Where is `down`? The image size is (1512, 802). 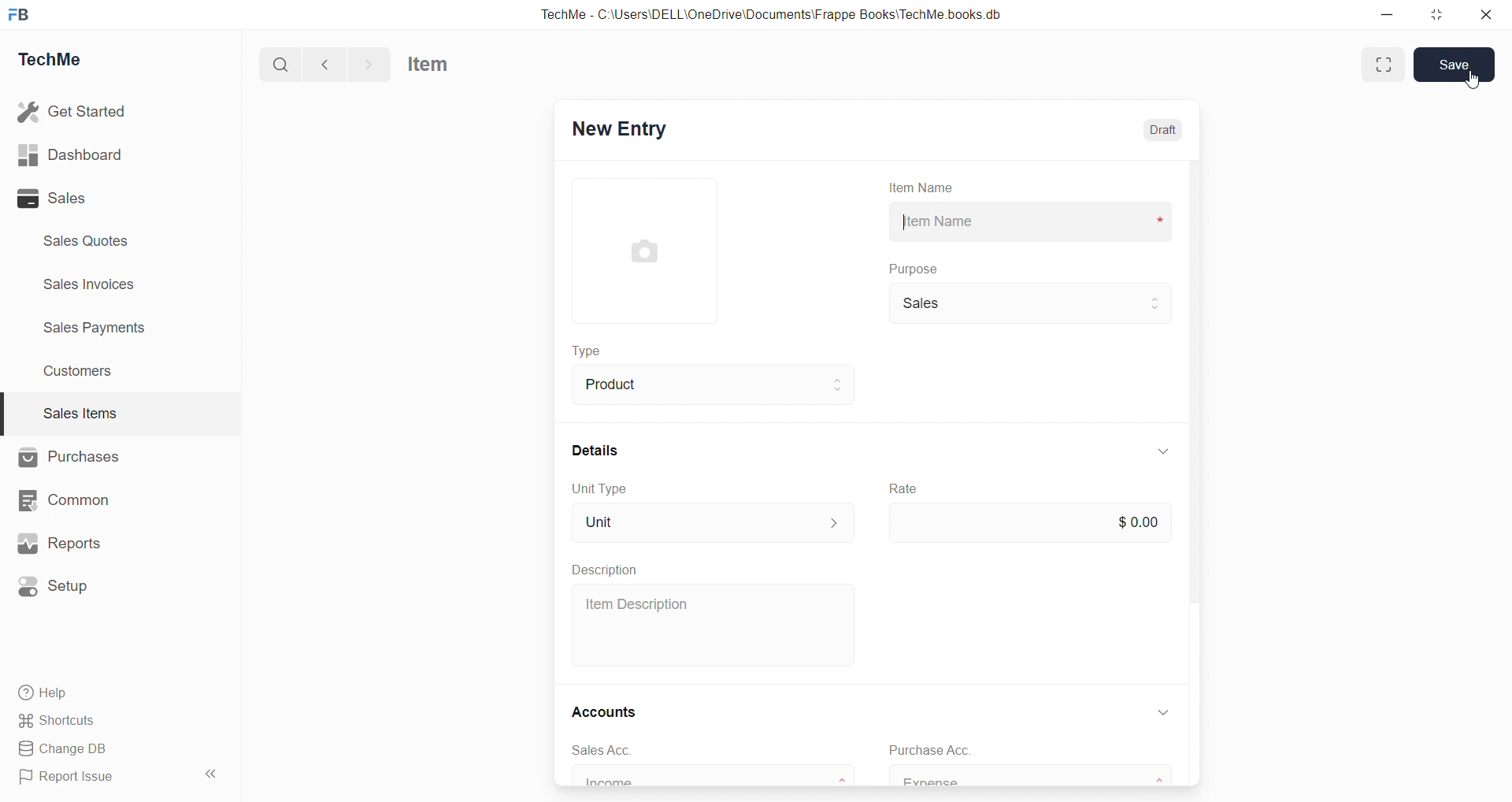 down is located at coordinates (1165, 713).